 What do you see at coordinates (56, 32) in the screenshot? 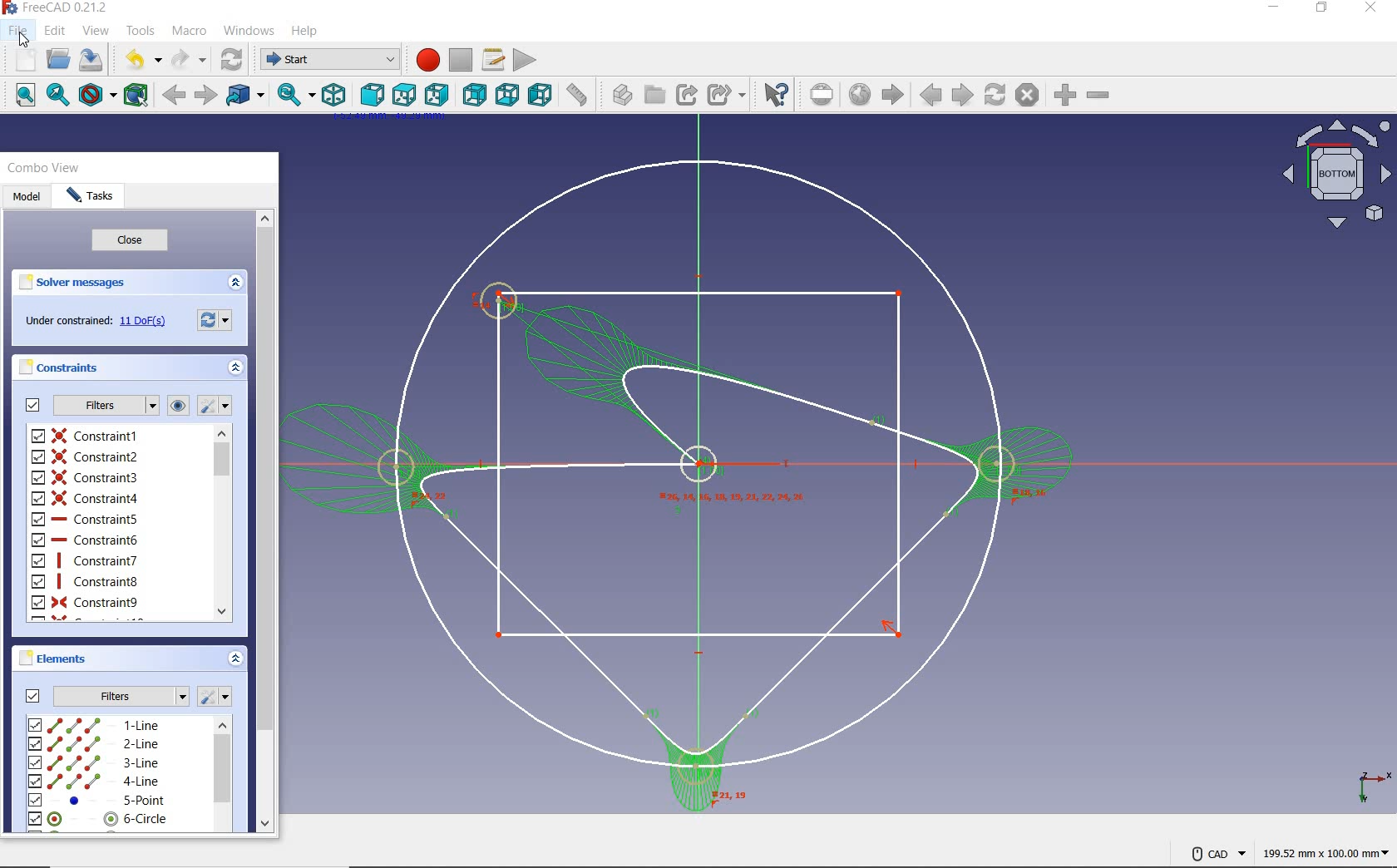
I see `edit` at bounding box center [56, 32].